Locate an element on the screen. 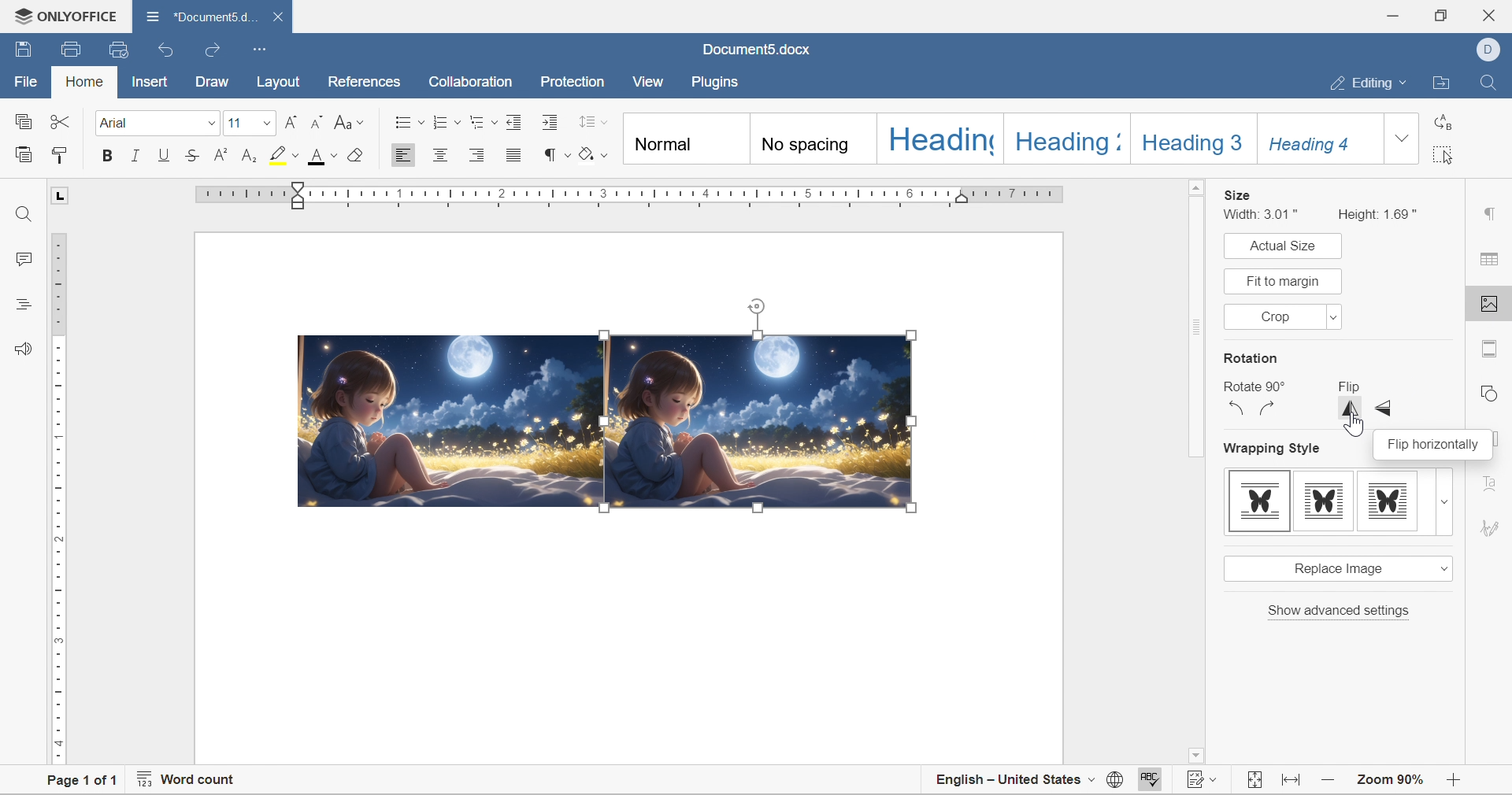 The width and height of the screenshot is (1512, 795). find is located at coordinates (1489, 83).